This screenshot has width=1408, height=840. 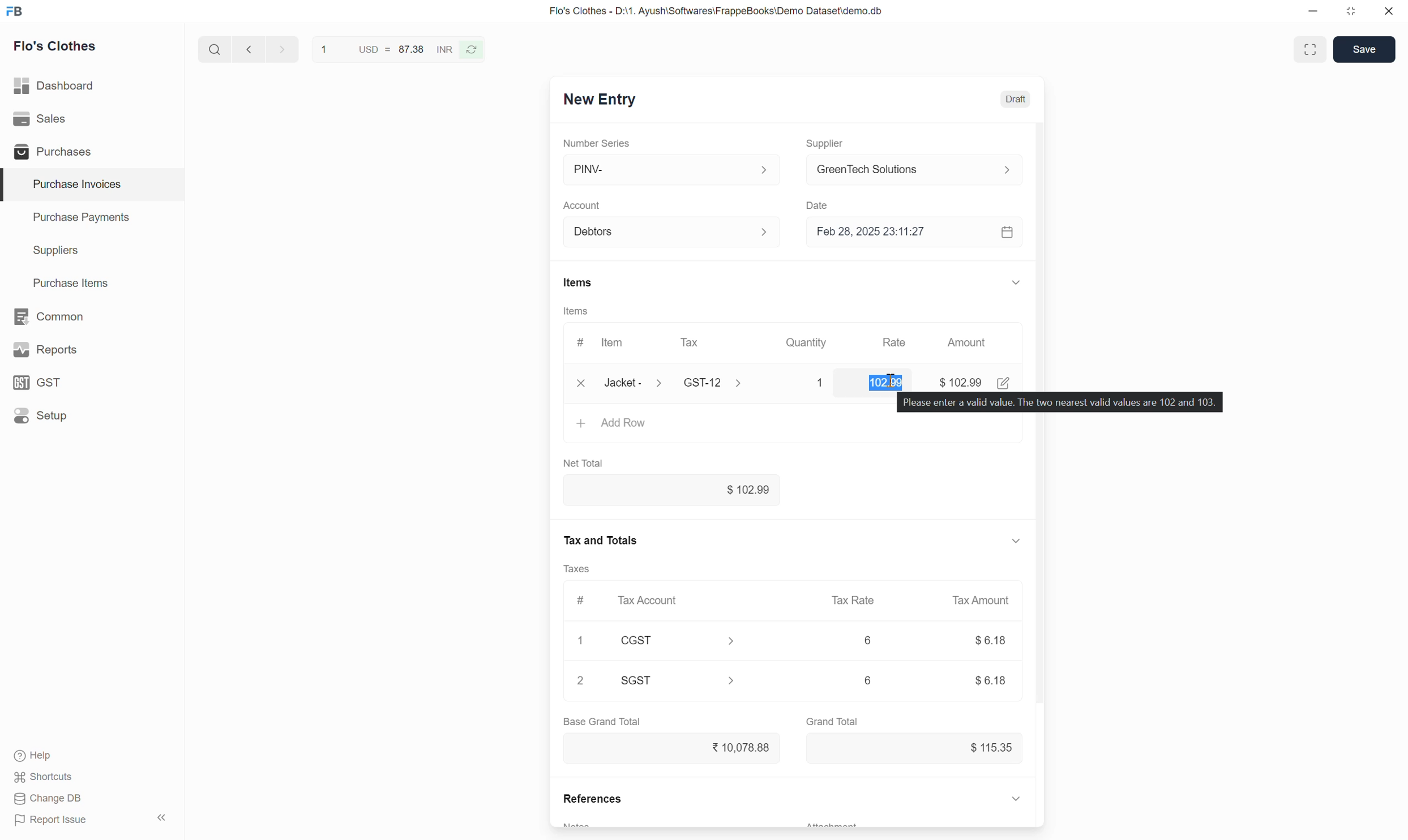 What do you see at coordinates (215, 49) in the screenshot?
I see `Search` at bounding box center [215, 49].